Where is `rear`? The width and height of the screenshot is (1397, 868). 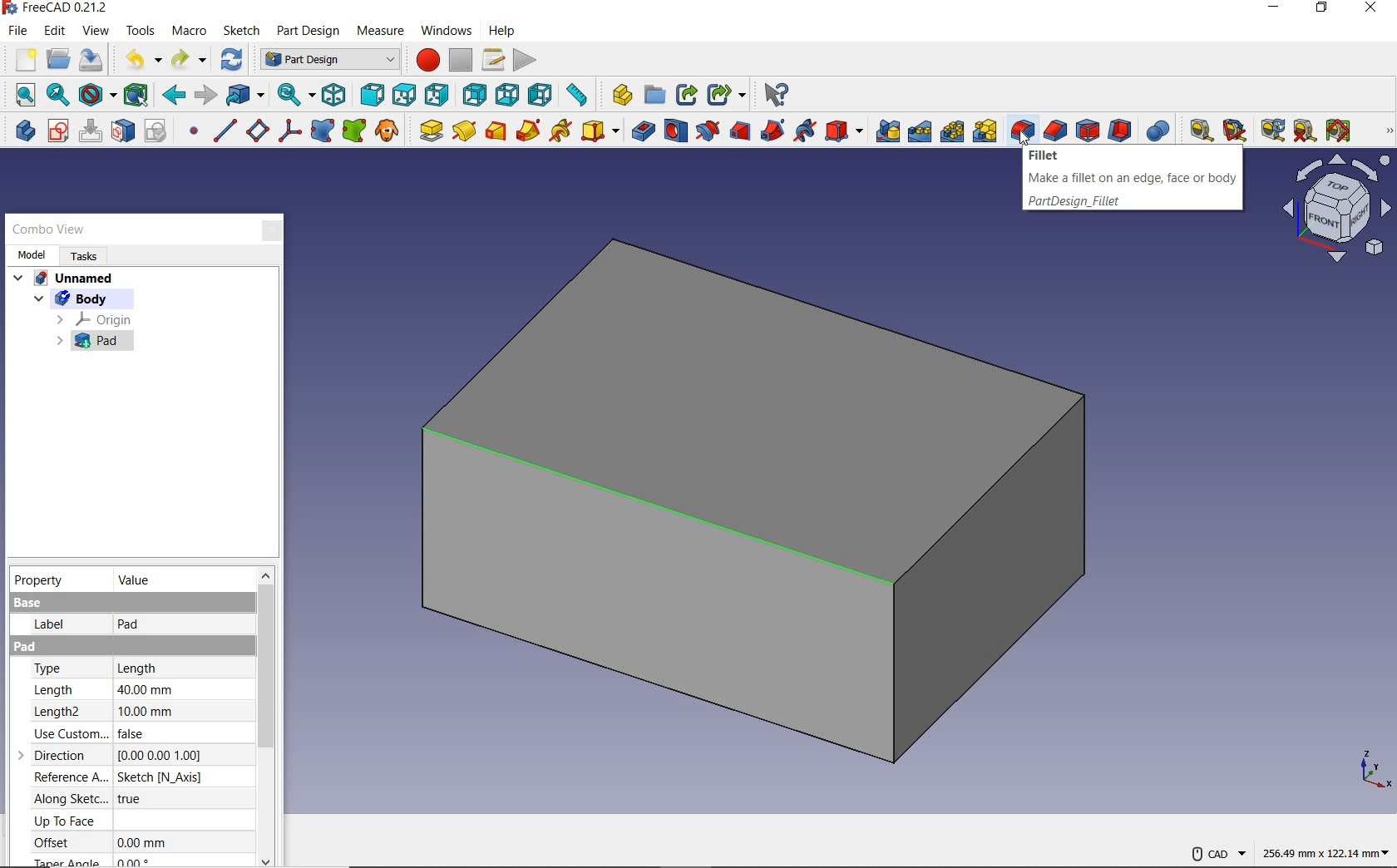 rear is located at coordinates (475, 94).